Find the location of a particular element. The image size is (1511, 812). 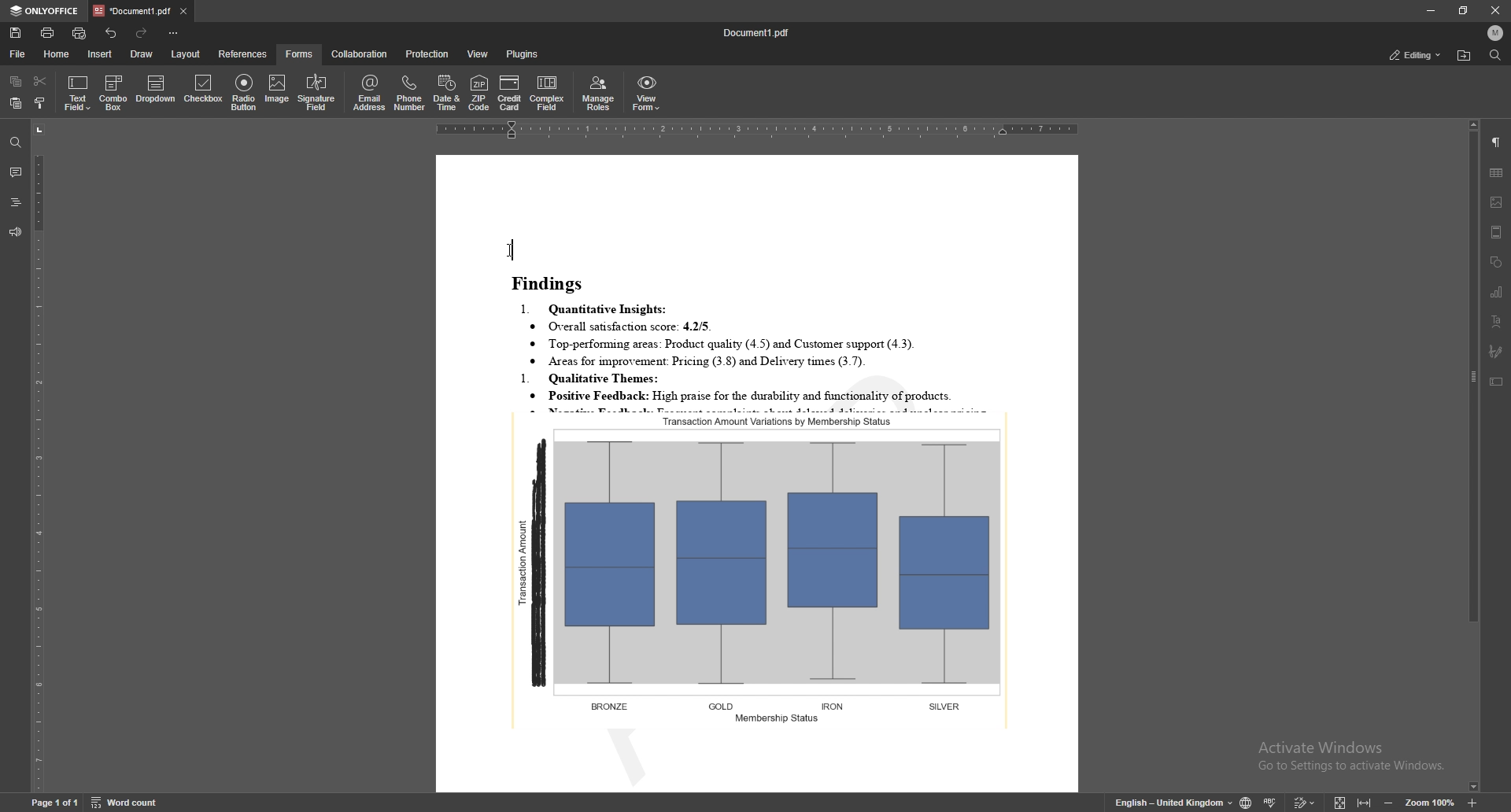

manage roles is located at coordinates (599, 94).